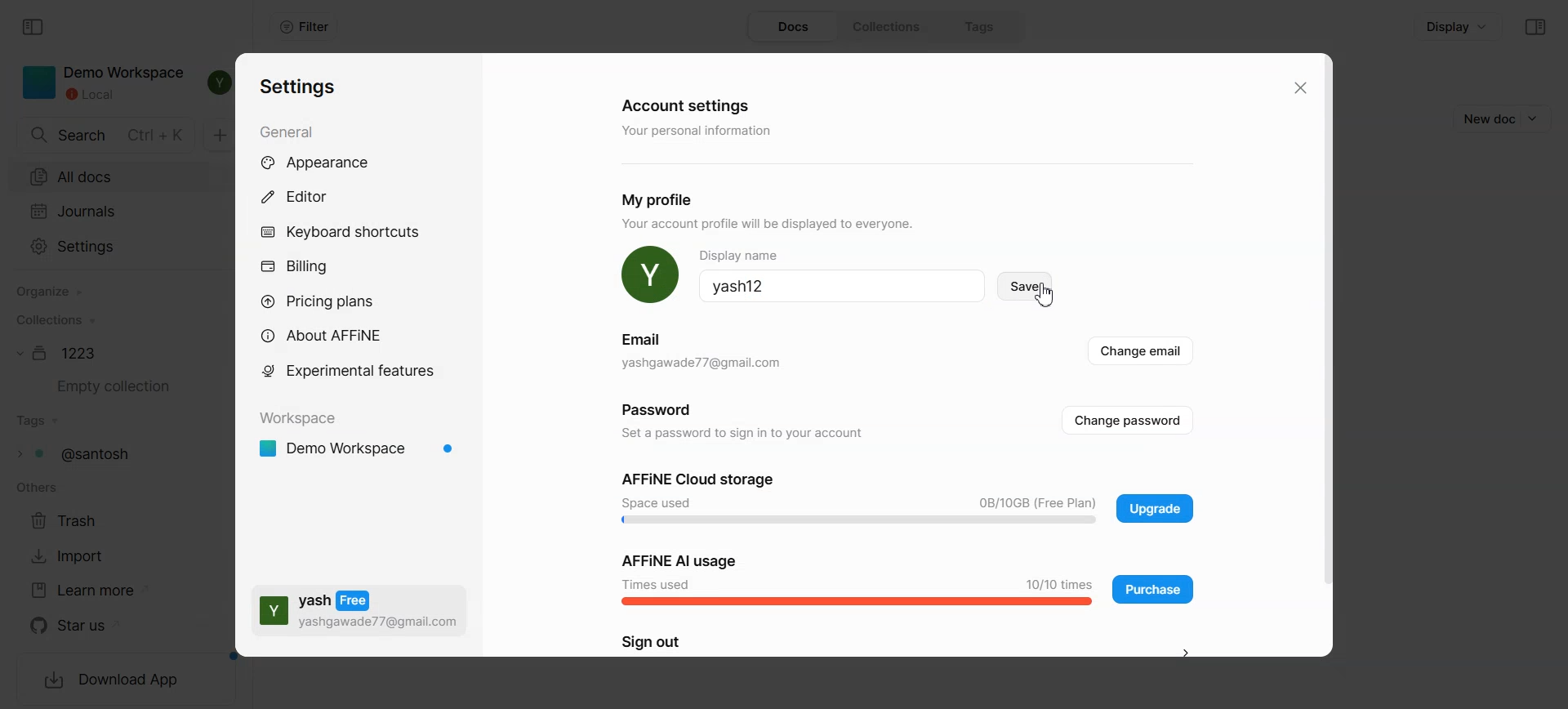 Image resolution: width=1568 pixels, height=709 pixels. Describe the element at coordinates (38, 421) in the screenshot. I see `Tags` at that location.